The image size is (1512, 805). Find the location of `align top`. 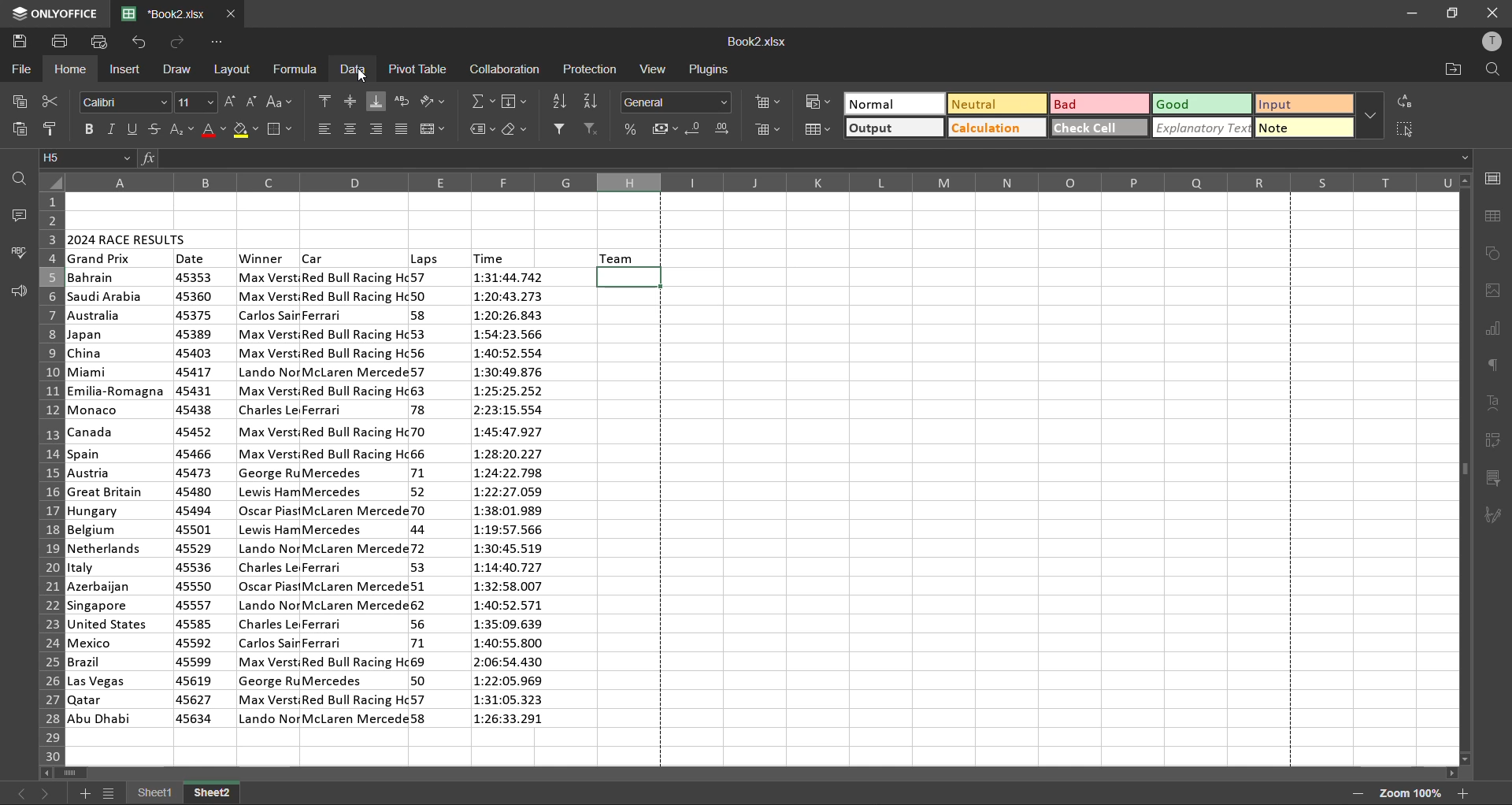

align top is located at coordinates (324, 100).